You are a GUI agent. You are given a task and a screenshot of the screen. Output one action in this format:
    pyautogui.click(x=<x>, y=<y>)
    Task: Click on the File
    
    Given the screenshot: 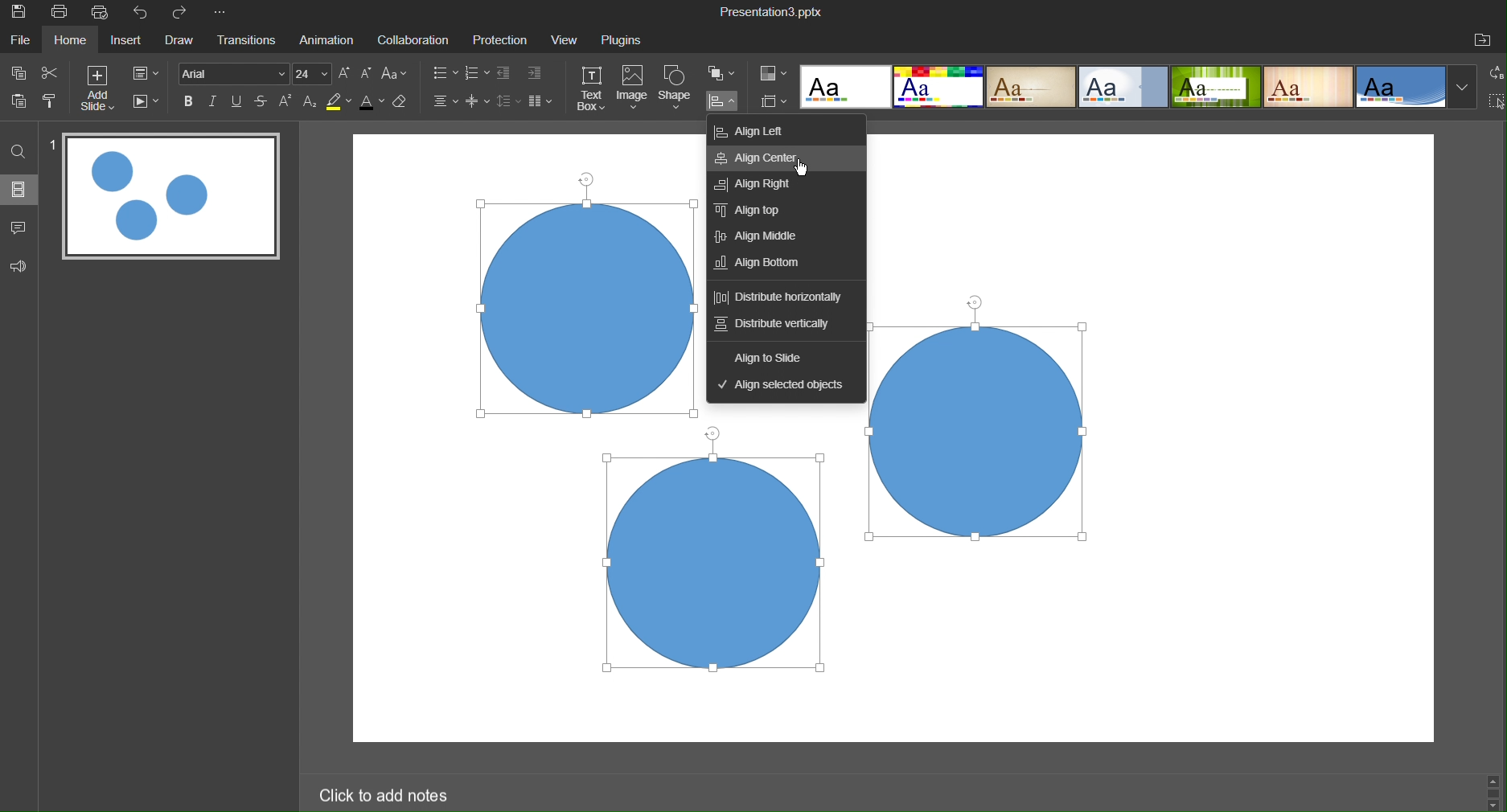 What is the action you would take?
    pyautogui.click(x=22, y=43)
    